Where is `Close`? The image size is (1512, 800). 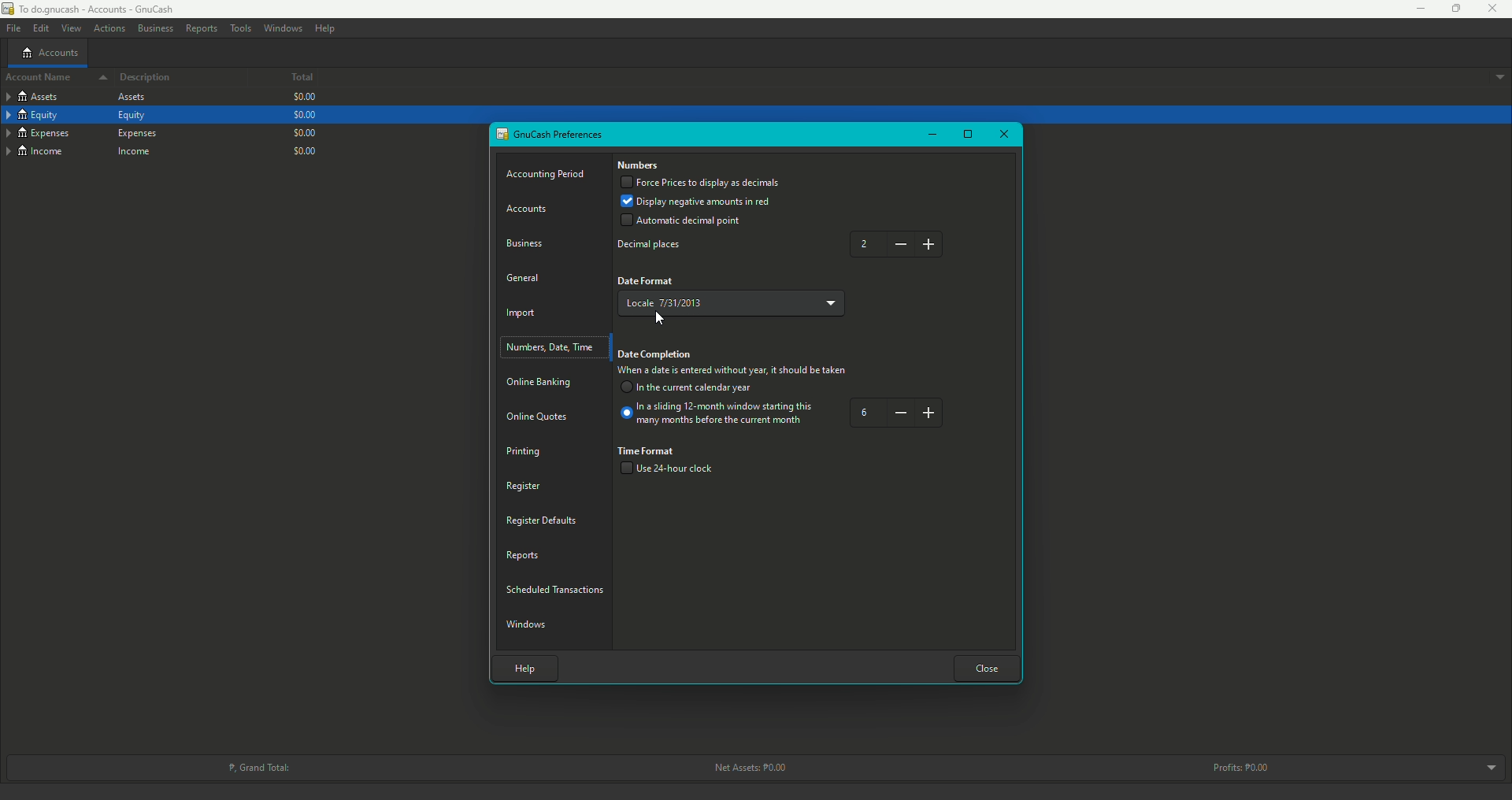
Close is located at coordinates (1002, 135).